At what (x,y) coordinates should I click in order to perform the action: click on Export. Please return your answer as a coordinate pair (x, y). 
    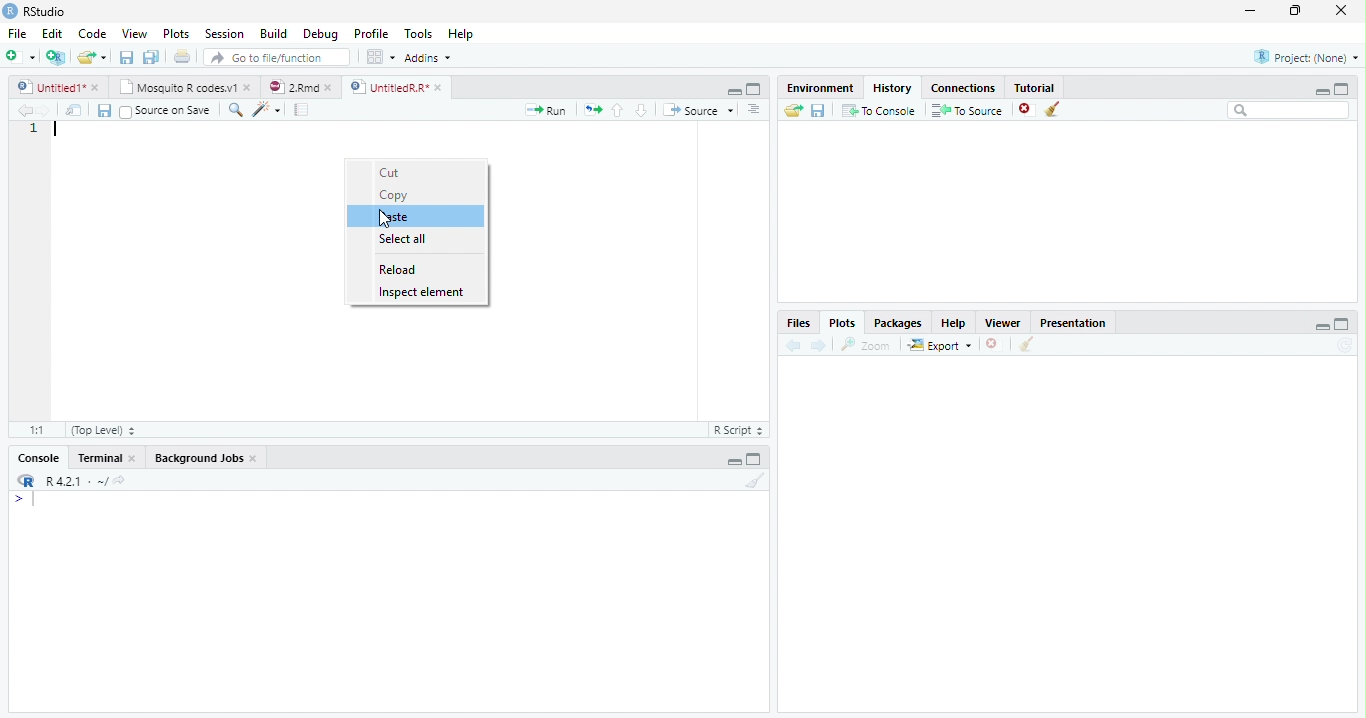
    Looking at the image, I should click on (940, 345).